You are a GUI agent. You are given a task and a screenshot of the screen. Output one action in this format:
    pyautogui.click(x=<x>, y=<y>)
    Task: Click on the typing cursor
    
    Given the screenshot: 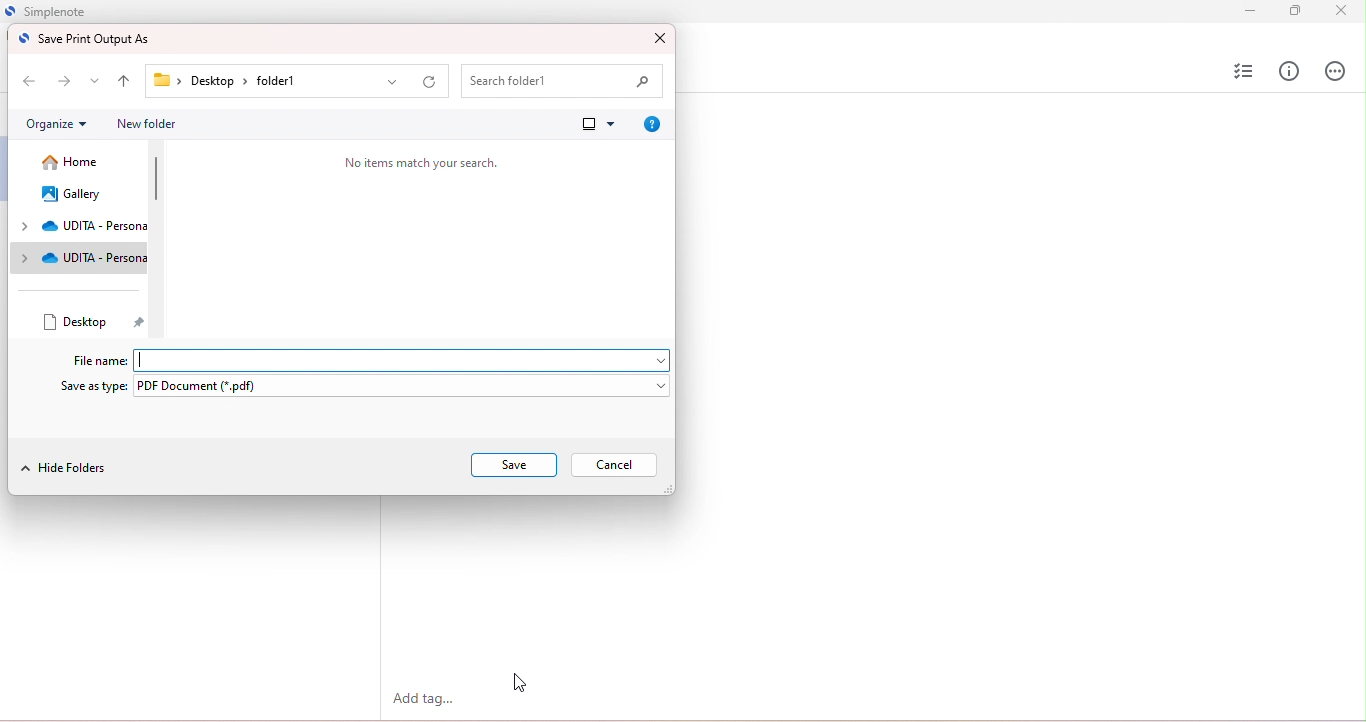 What is the action you would take?
    pyautogui.click(x=145, y=359)
    